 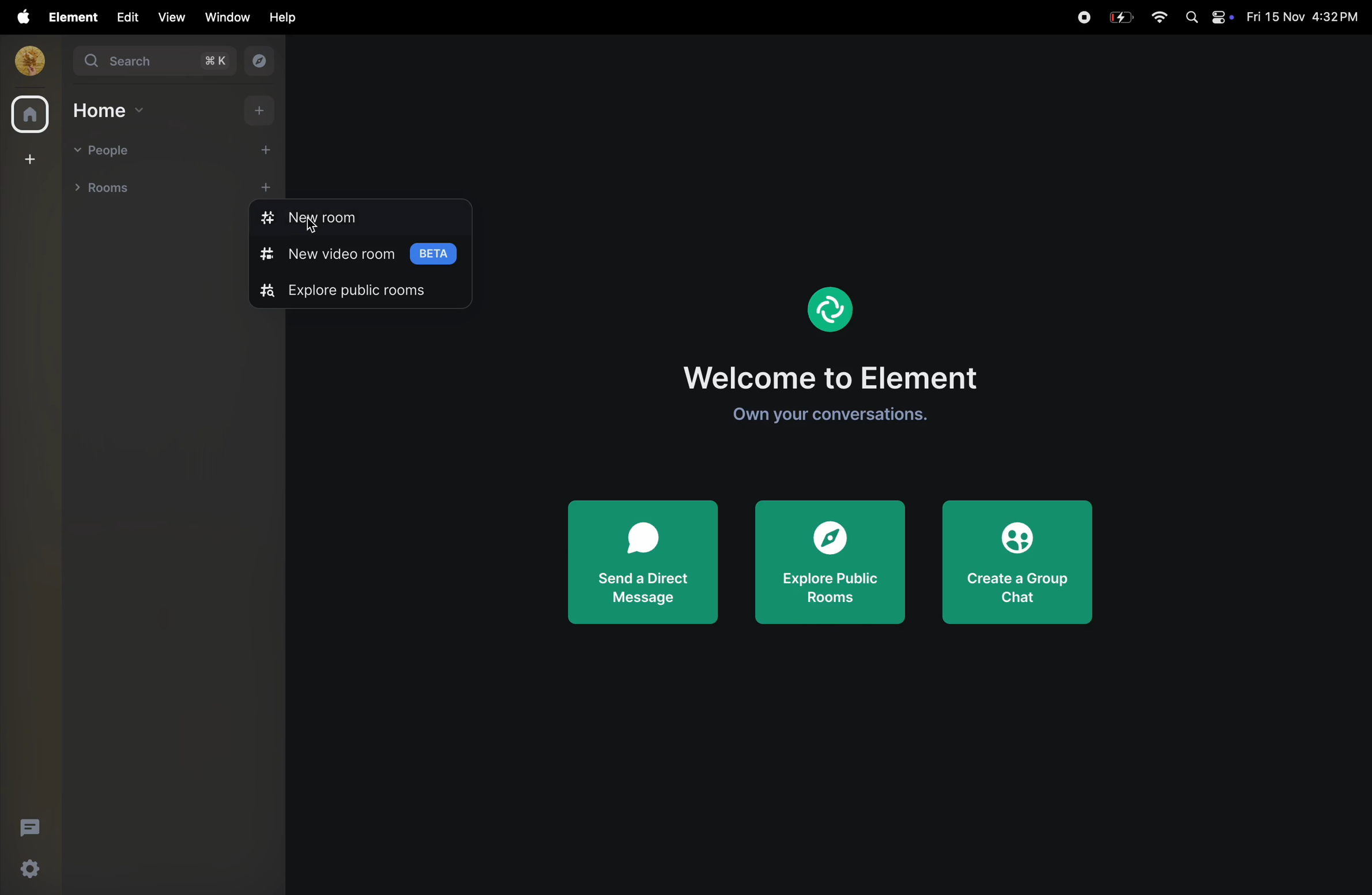 What do you see at coordinates (1159, 18) in the screenshot?
I see `wifi` at bounding box center [1159, 18].